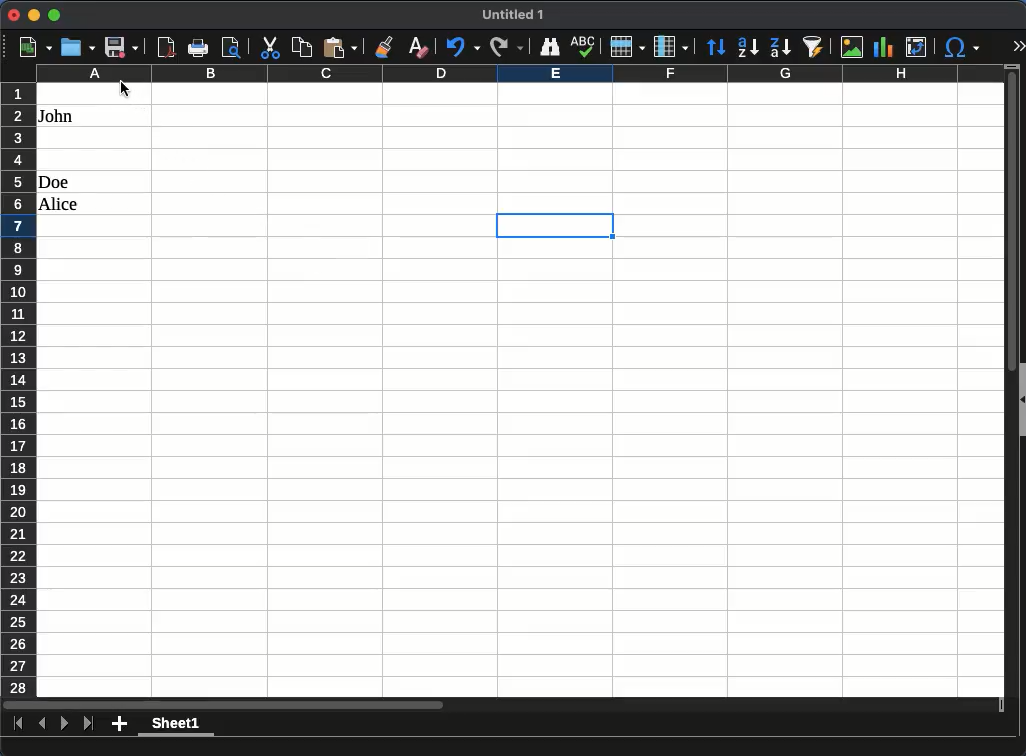 The image size is (1026, 756). I want to click on pdf reviewer, so click(167, 47).